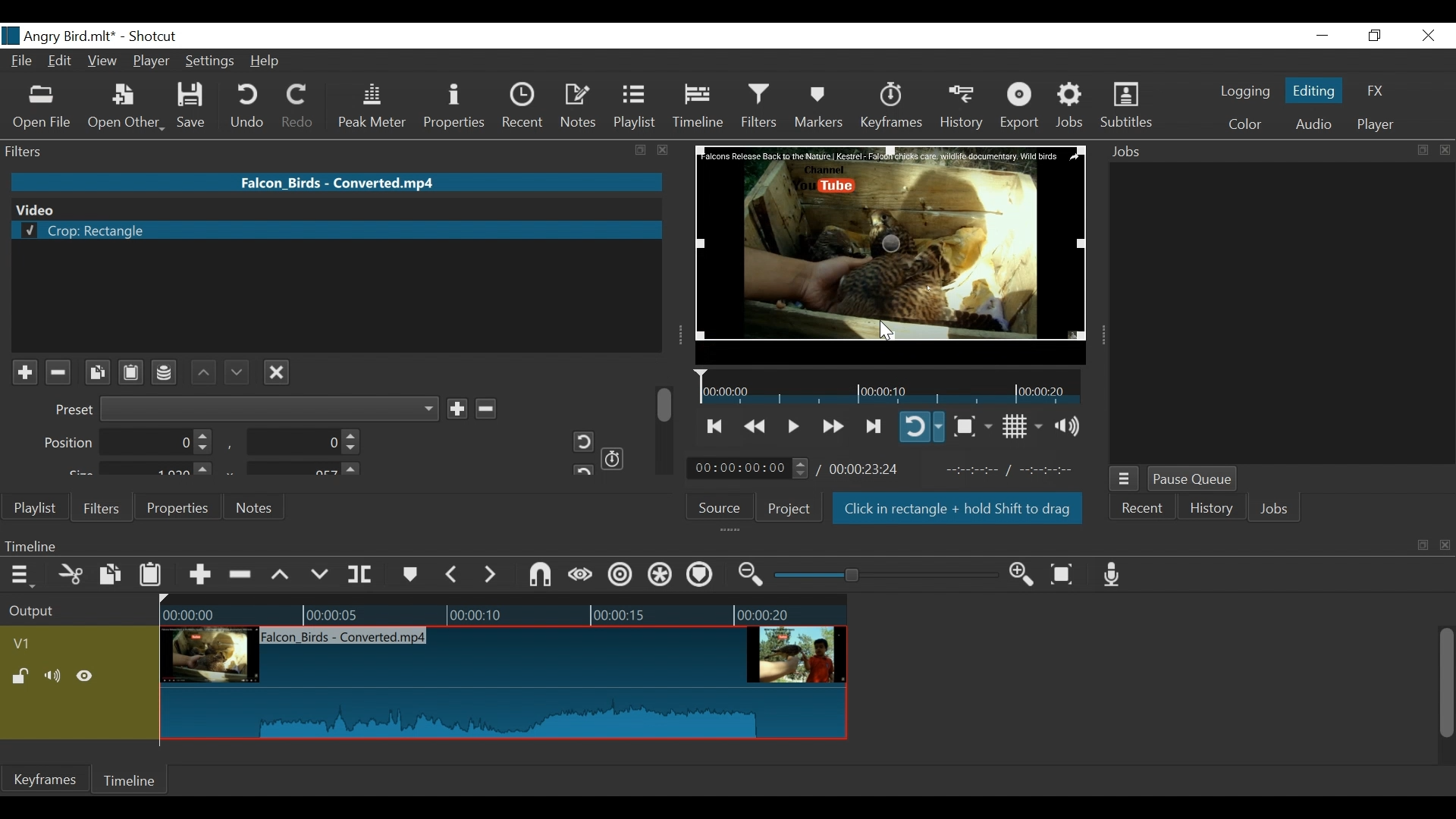 Image resolution: width=1456 pixels, height=819 pixels. What do you see at coordinates (85, 679) in the screenshot?
I see `Hide` at bounding box center [85, 679].